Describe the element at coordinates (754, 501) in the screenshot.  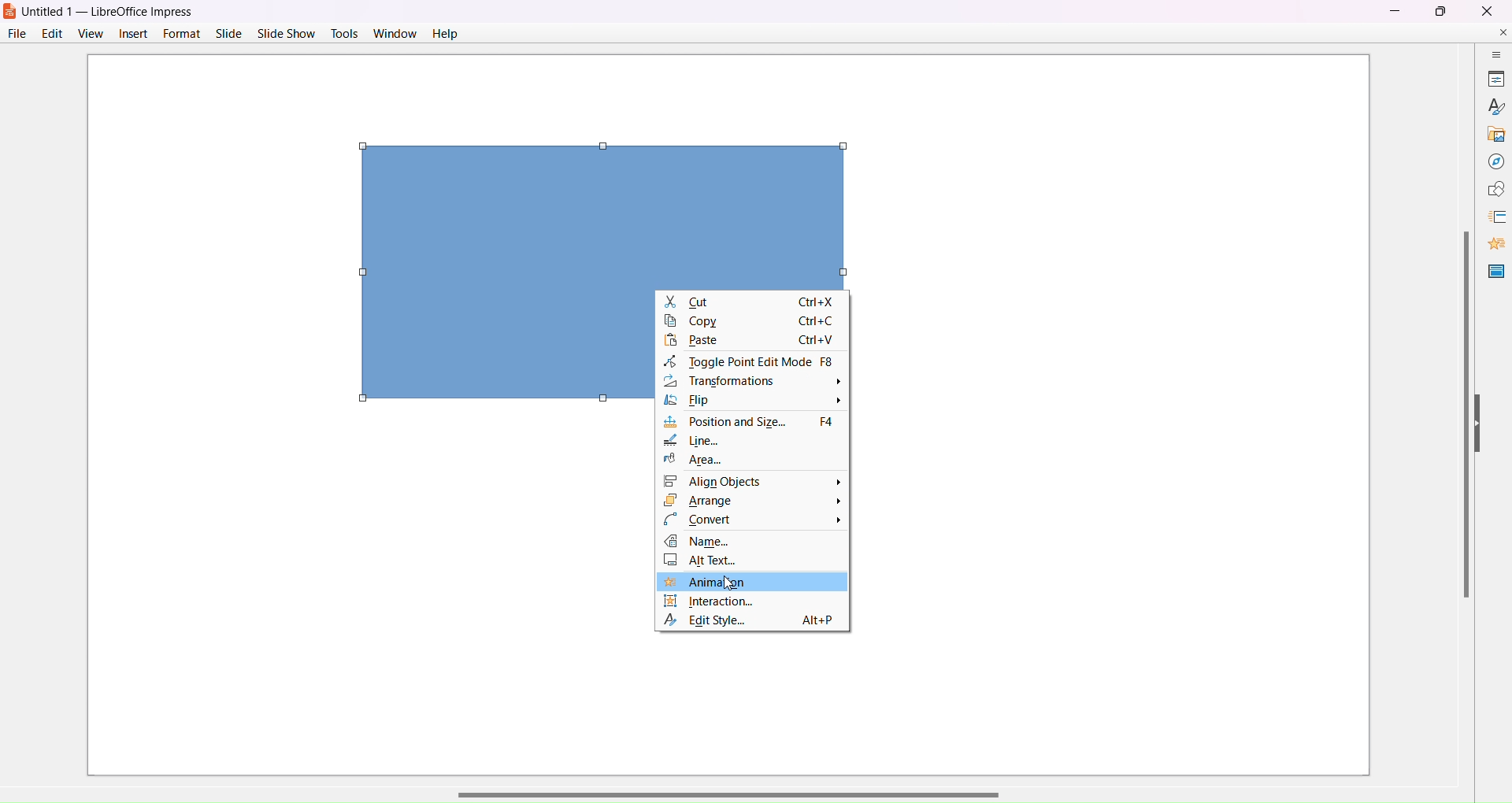
I see `Arrange` at that location.